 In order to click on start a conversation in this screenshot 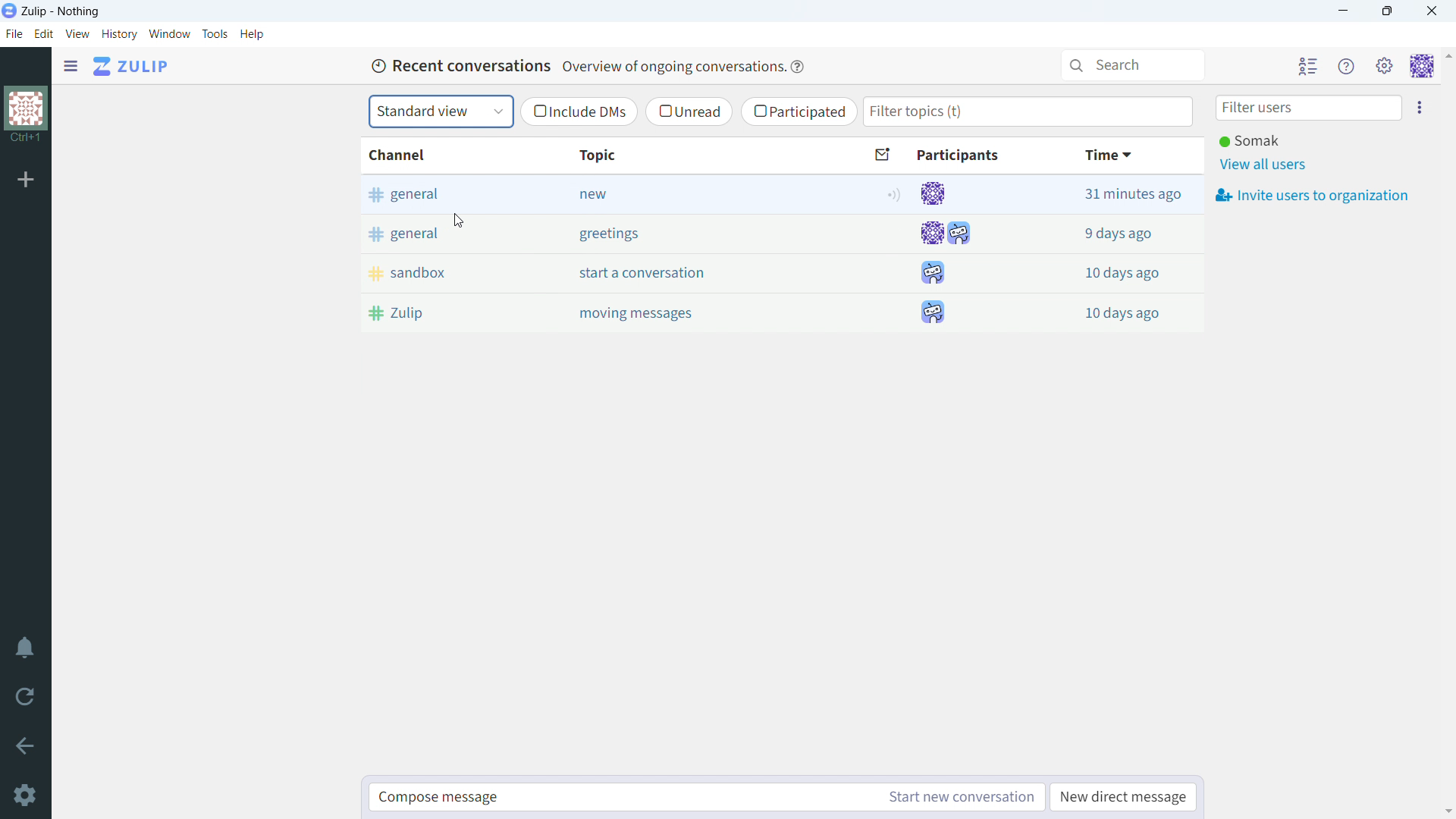, I will do `click(680, 274)`.